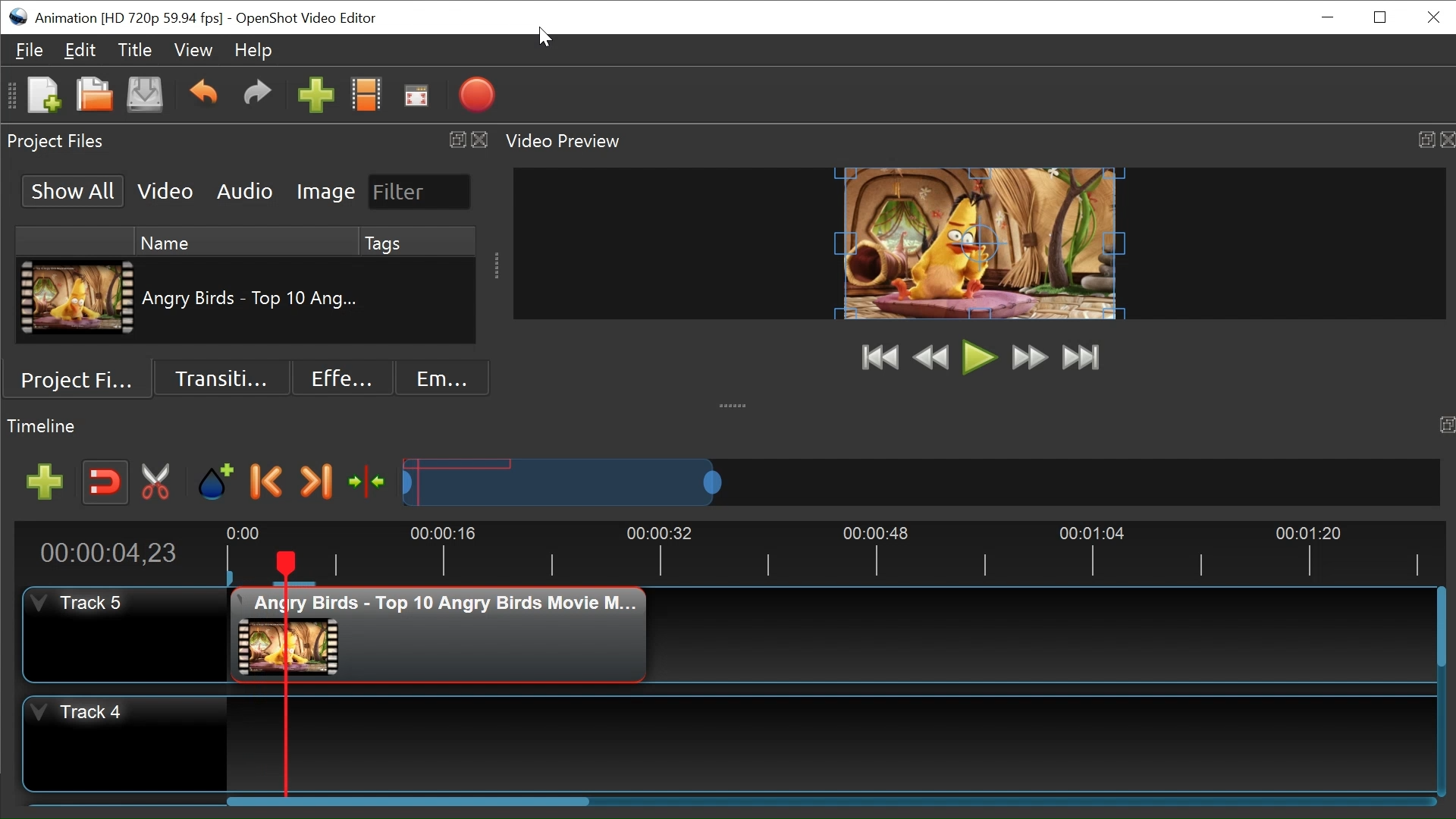 Image resolution: width=1456 pixels, height=819 pixels. I want to click on Playhead, so click(284, 673).